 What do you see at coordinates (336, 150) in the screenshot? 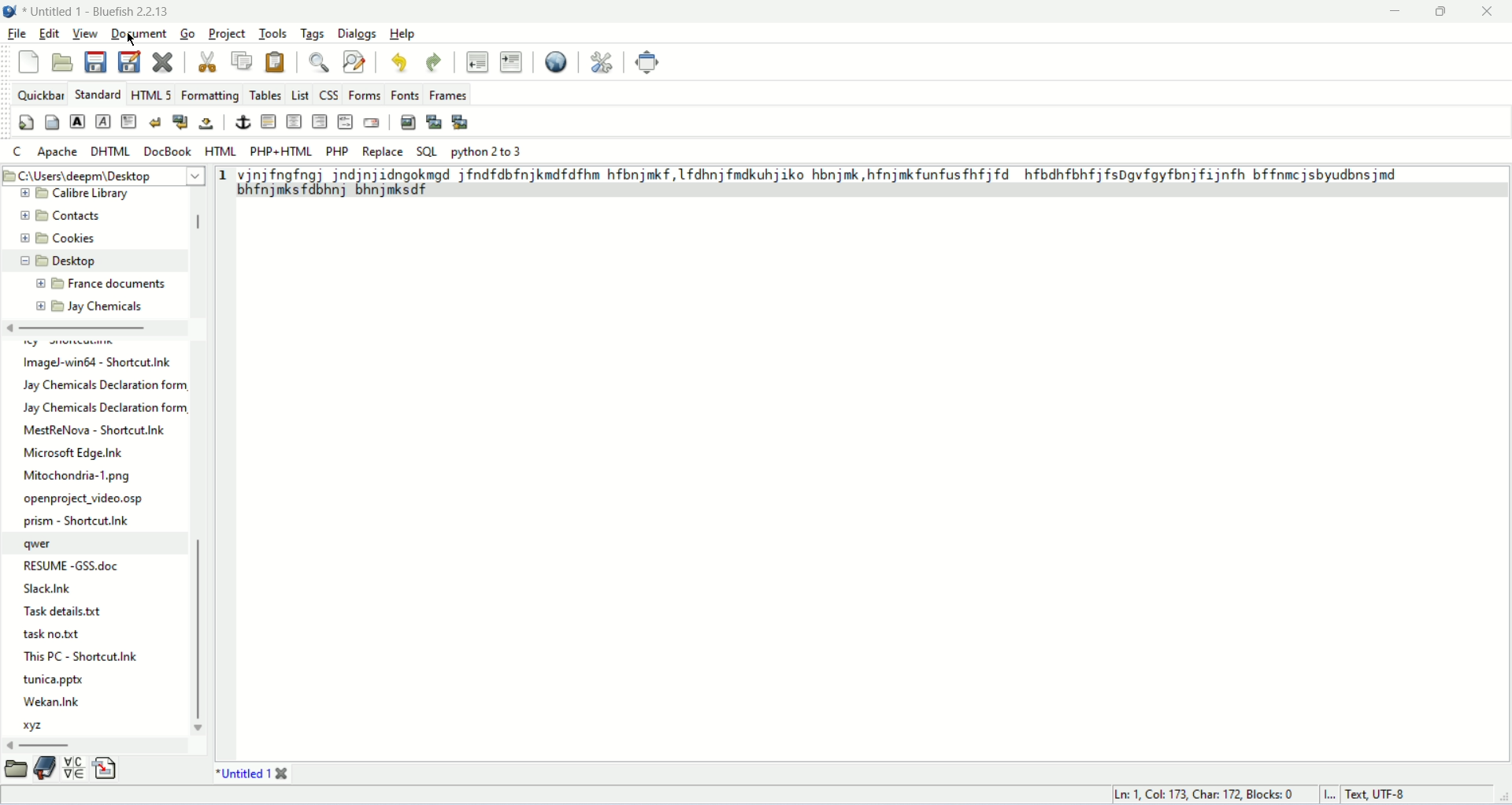
I see `PHP` at bounding box center [336, 150].